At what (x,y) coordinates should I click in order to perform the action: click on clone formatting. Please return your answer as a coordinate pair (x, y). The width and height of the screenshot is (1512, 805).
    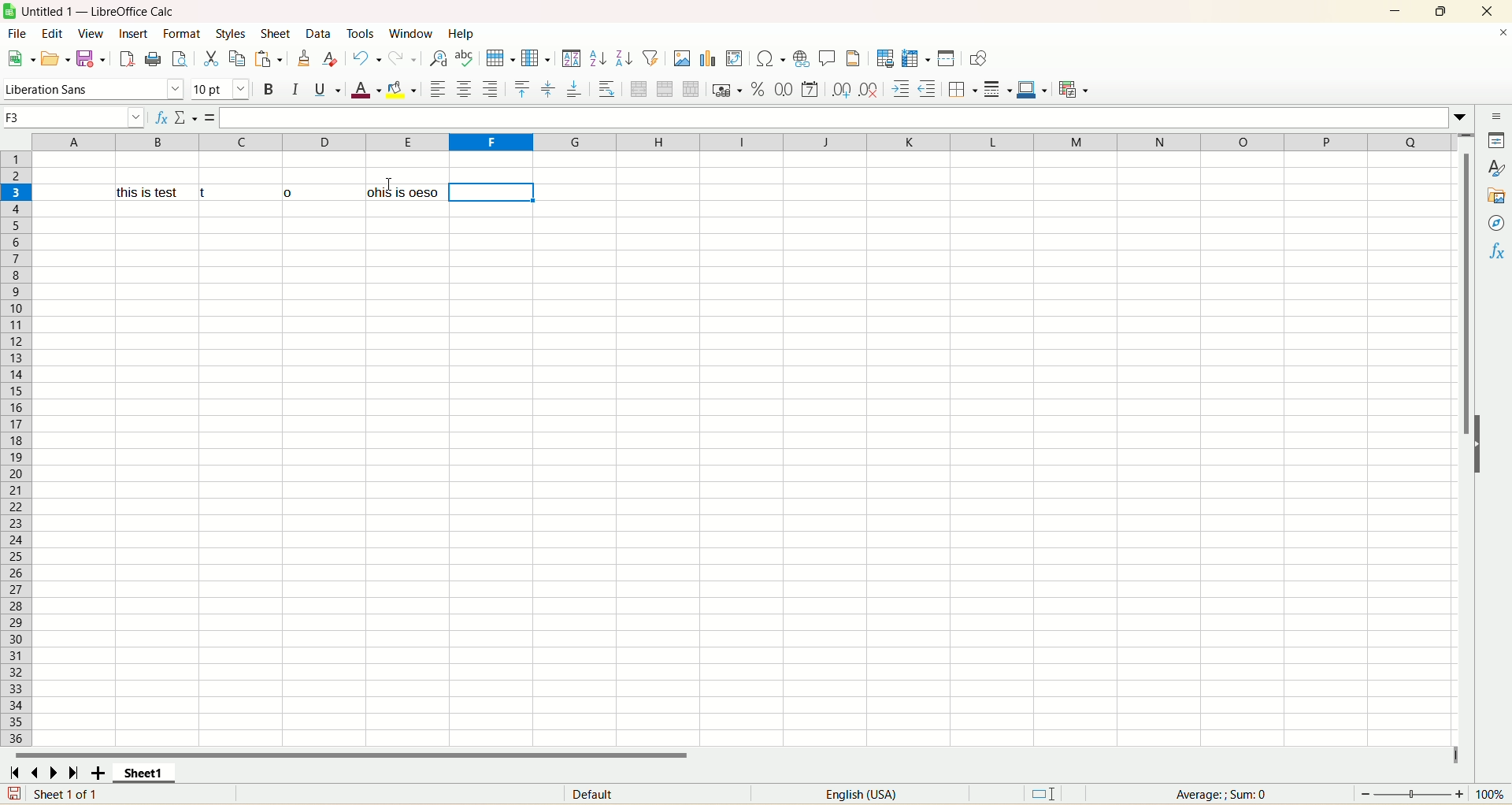
    Looking at the image, I should click on (302, 57).